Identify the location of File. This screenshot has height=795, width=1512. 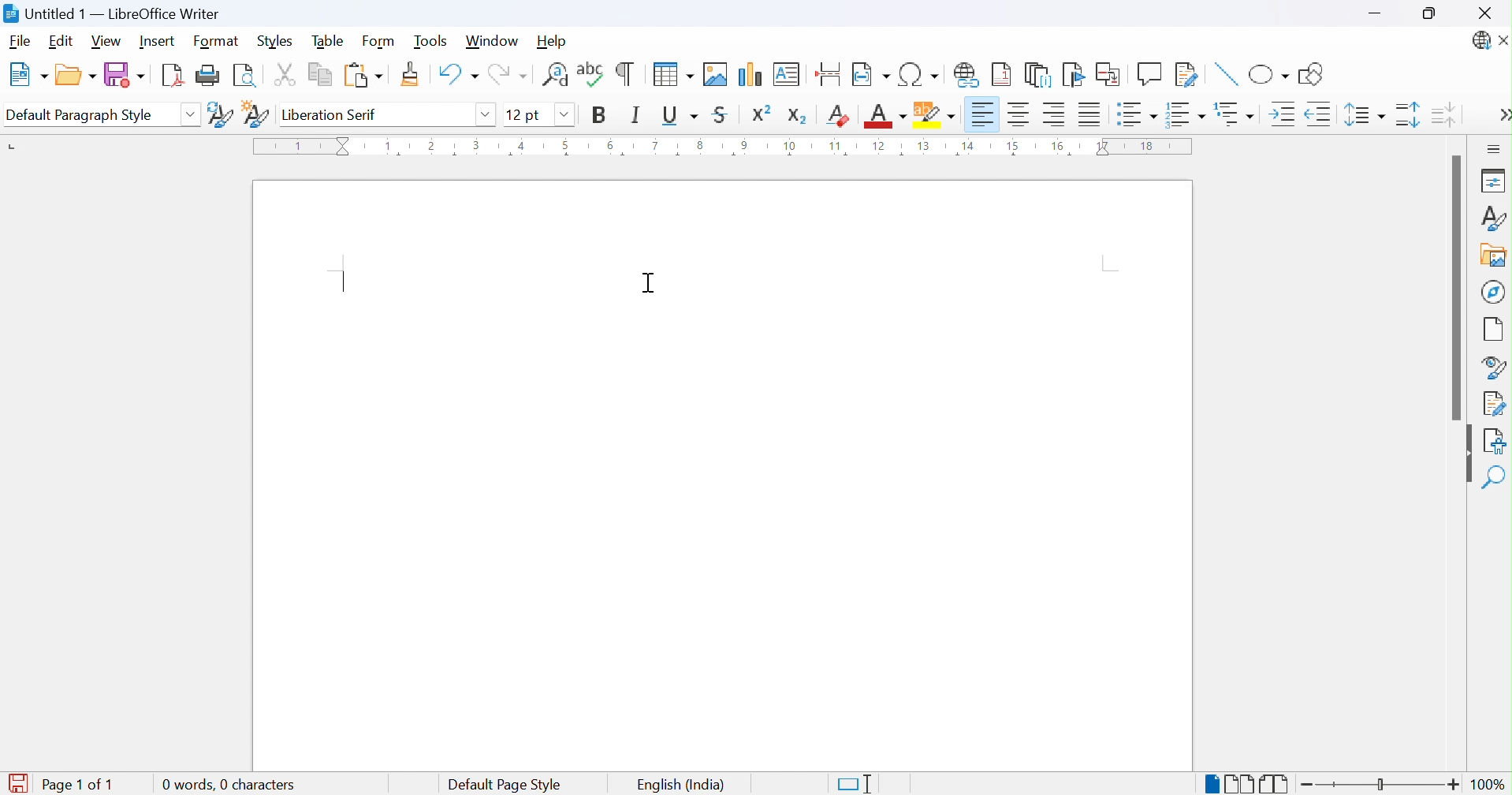
(19, 42).